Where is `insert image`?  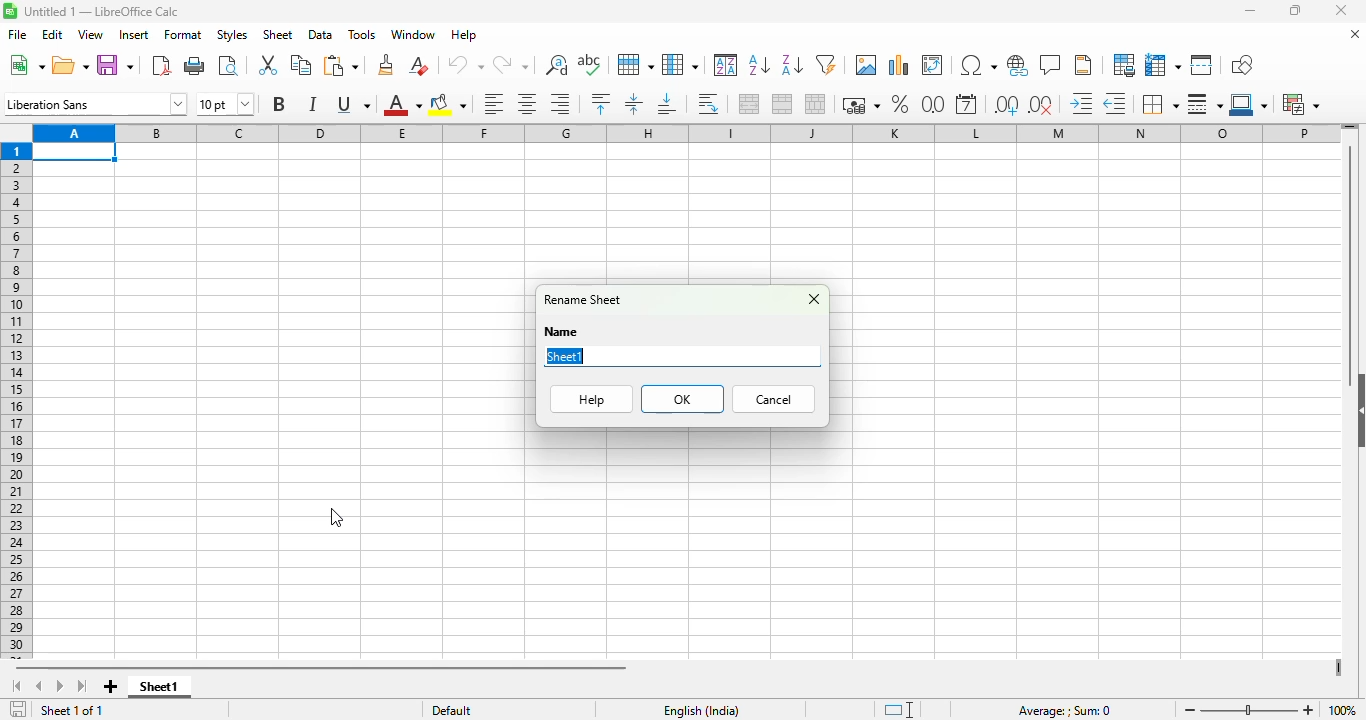
insert image is located at coordinates (865, 64).